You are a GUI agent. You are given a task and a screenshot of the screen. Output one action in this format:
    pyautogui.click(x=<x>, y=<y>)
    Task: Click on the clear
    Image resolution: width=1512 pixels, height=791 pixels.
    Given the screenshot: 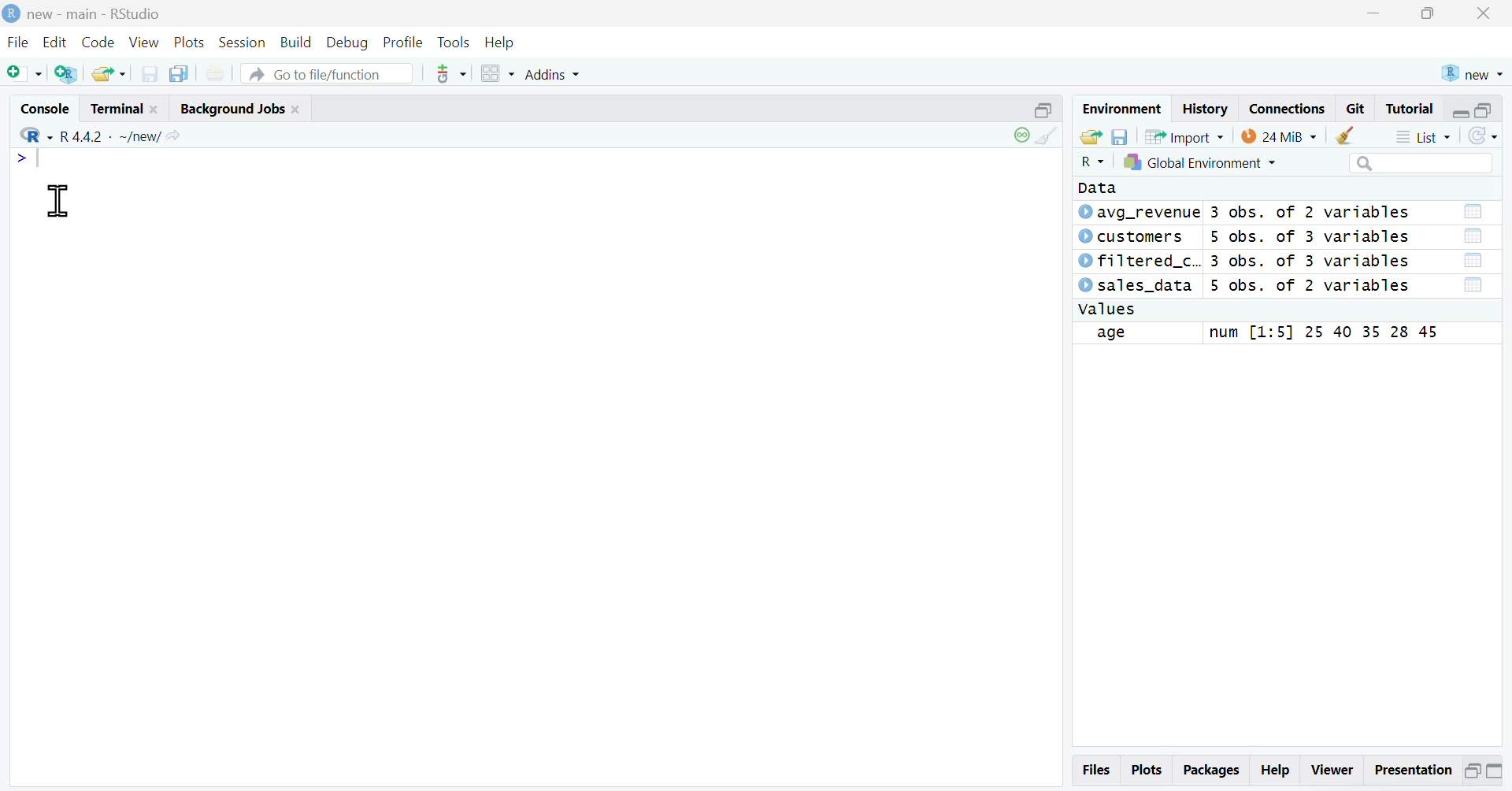 What is the action you would take?
    pyautogui.click(x=1349, y=135)
    